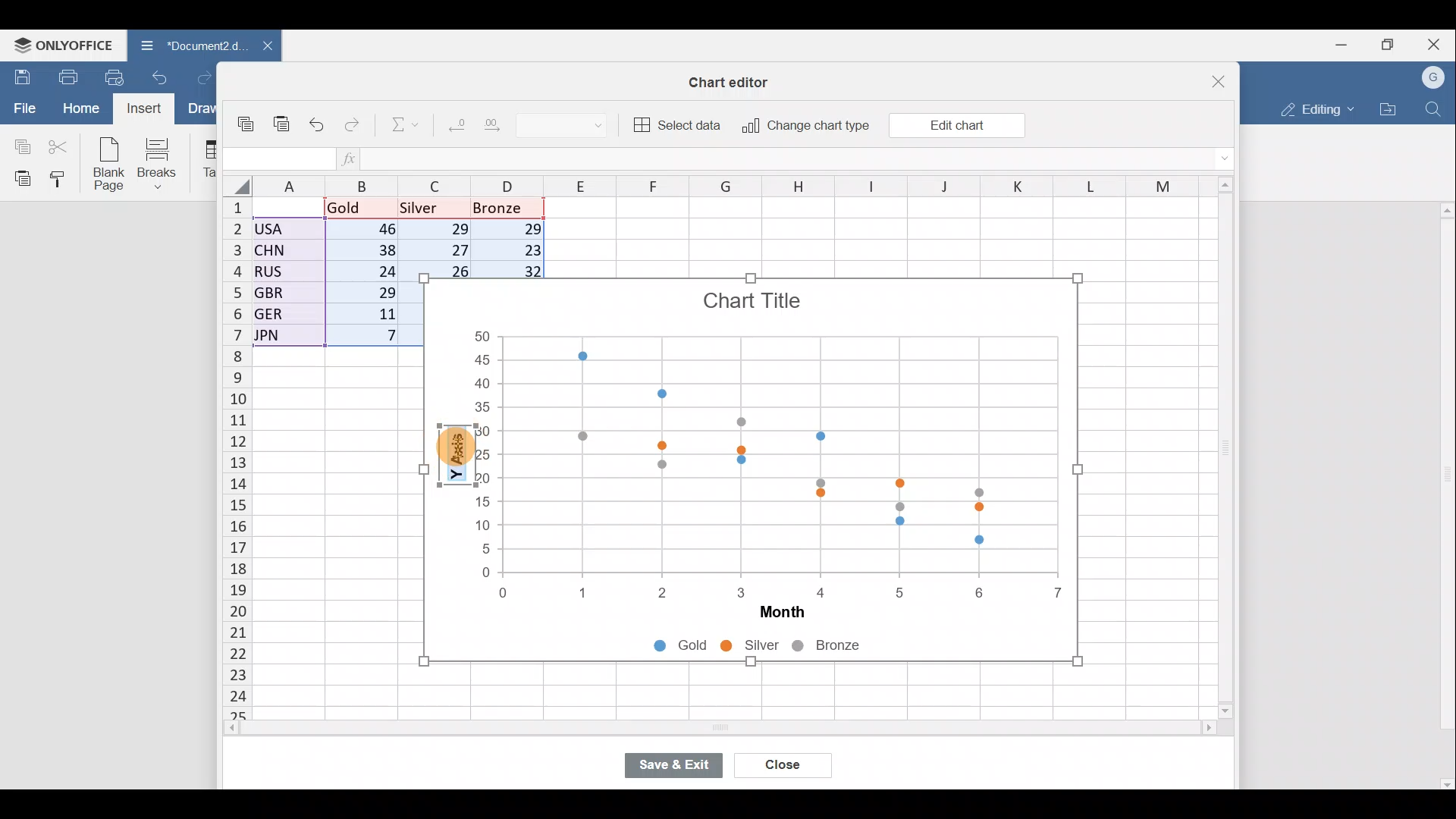 Image resolution: width=1456 pixels, height=819 pixels. What do you see at coordinates (111, 165) in the screenshot?
I see `Blank page` at bounding box center [111, 165].